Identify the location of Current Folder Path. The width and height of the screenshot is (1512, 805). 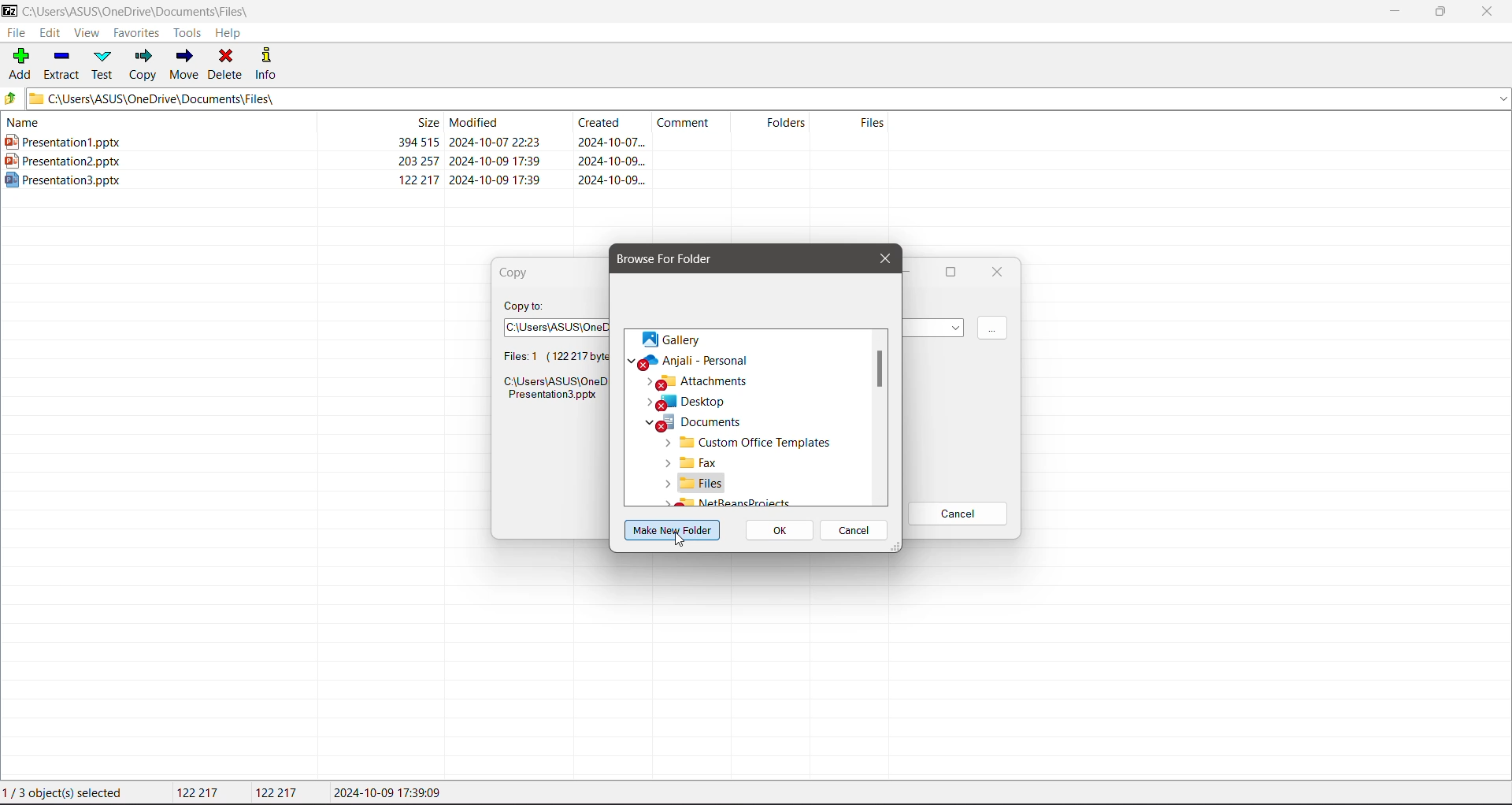
(770, 98).